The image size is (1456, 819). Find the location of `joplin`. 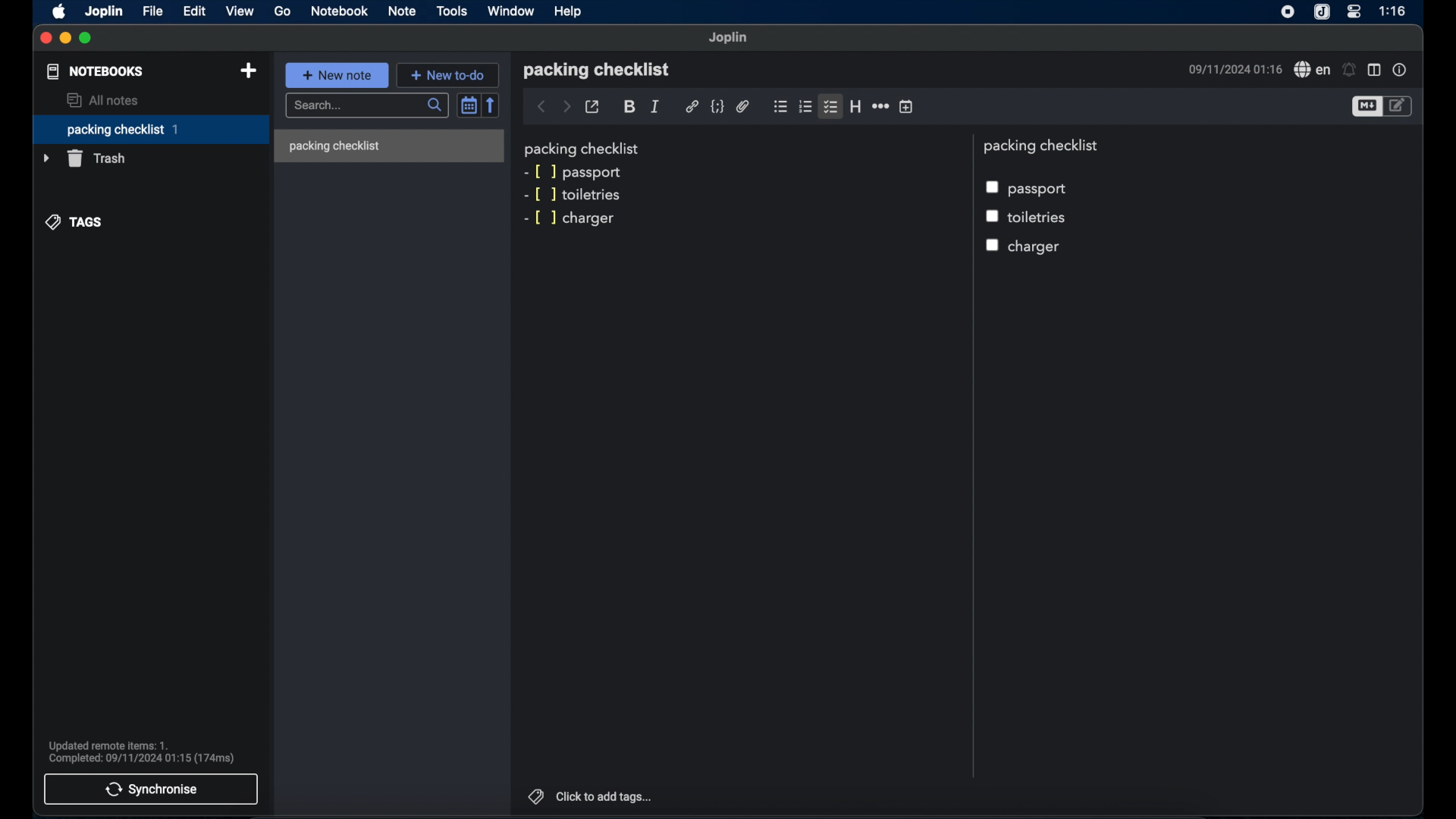

joplin is located at coordinates (105, 12).